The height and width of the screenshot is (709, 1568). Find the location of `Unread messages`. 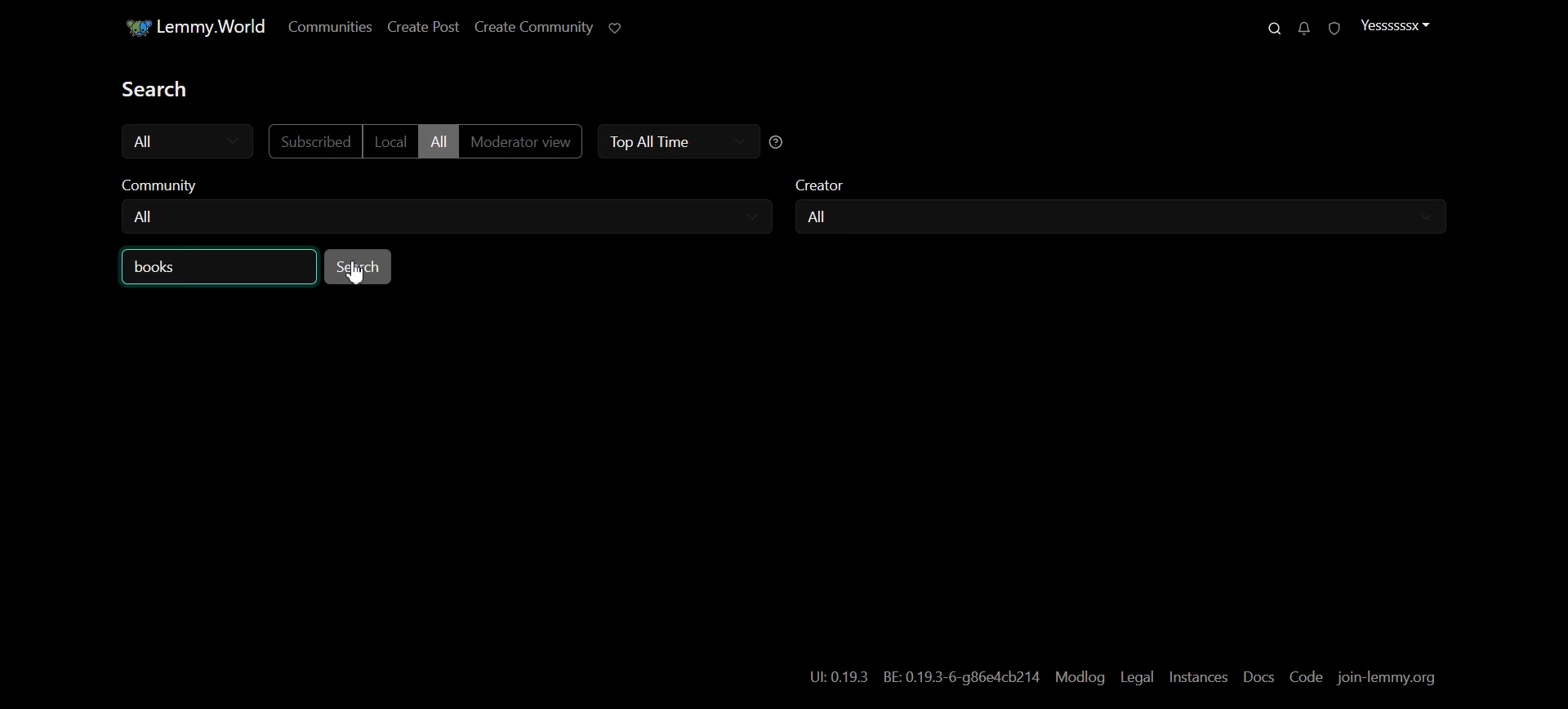

Unread messages is located at coordinates (1296, 29).